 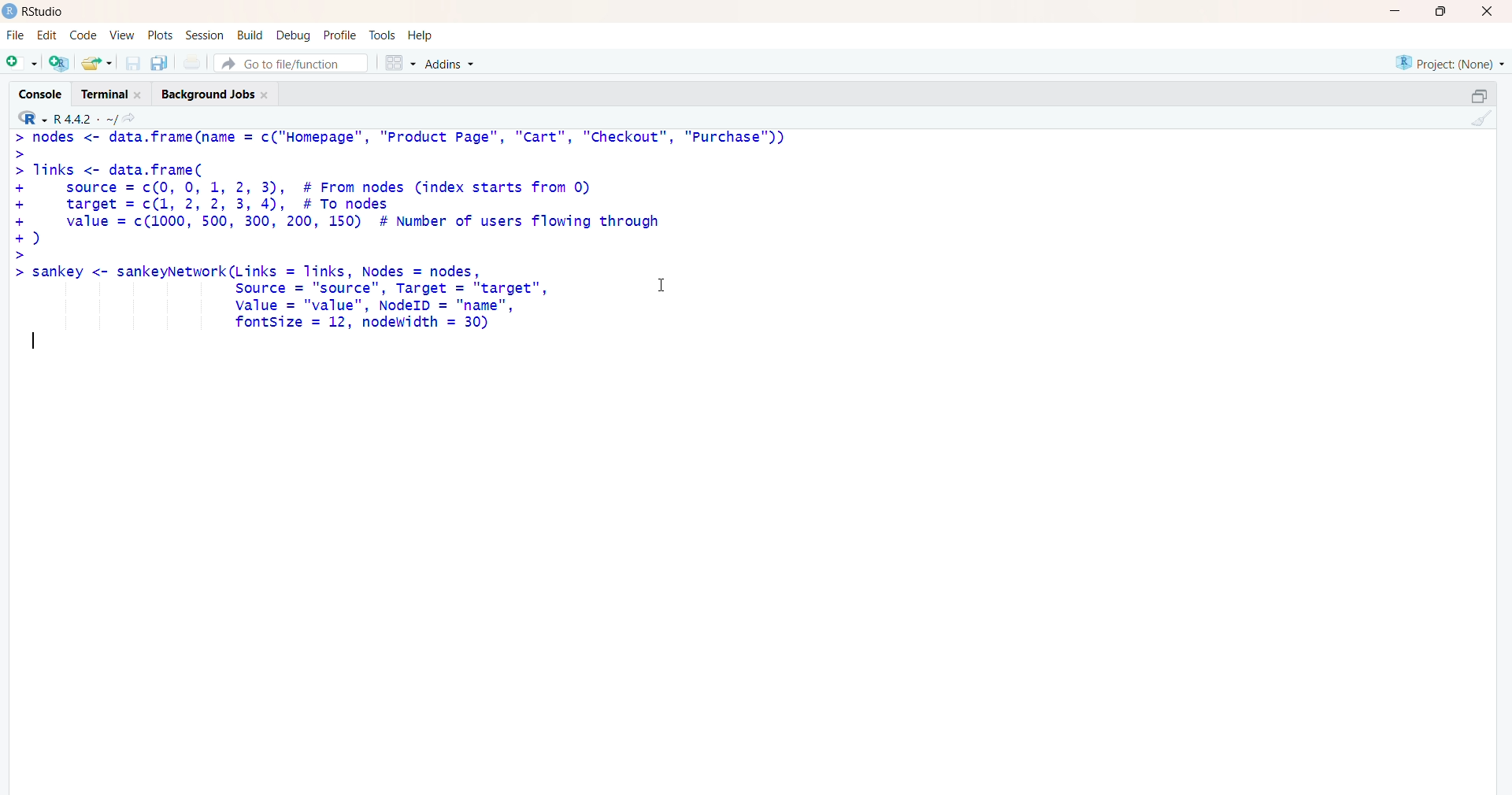 I want to click on plots, so click(x=156, y=33).